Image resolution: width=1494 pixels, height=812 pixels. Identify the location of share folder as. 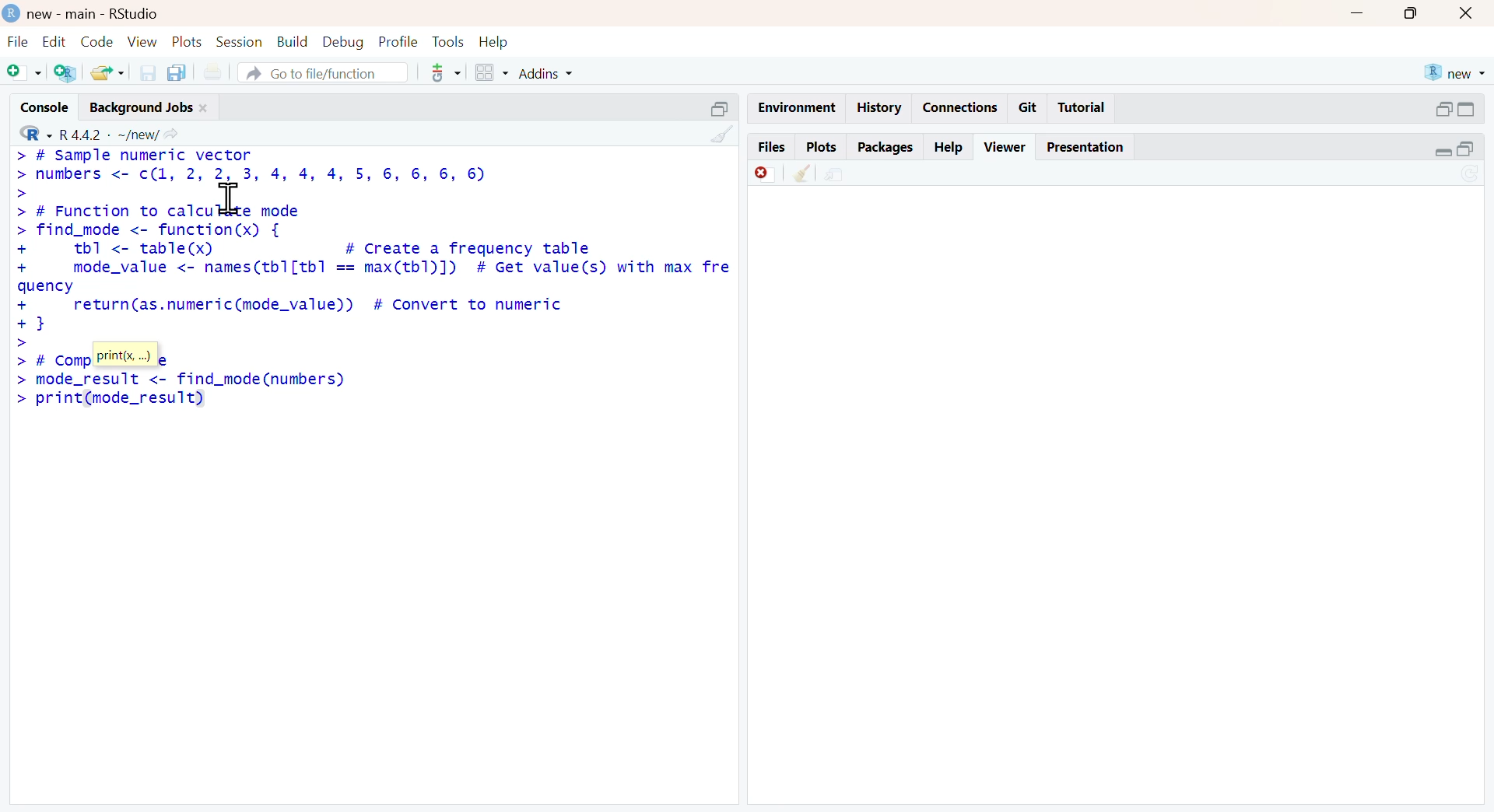
(109, 73).